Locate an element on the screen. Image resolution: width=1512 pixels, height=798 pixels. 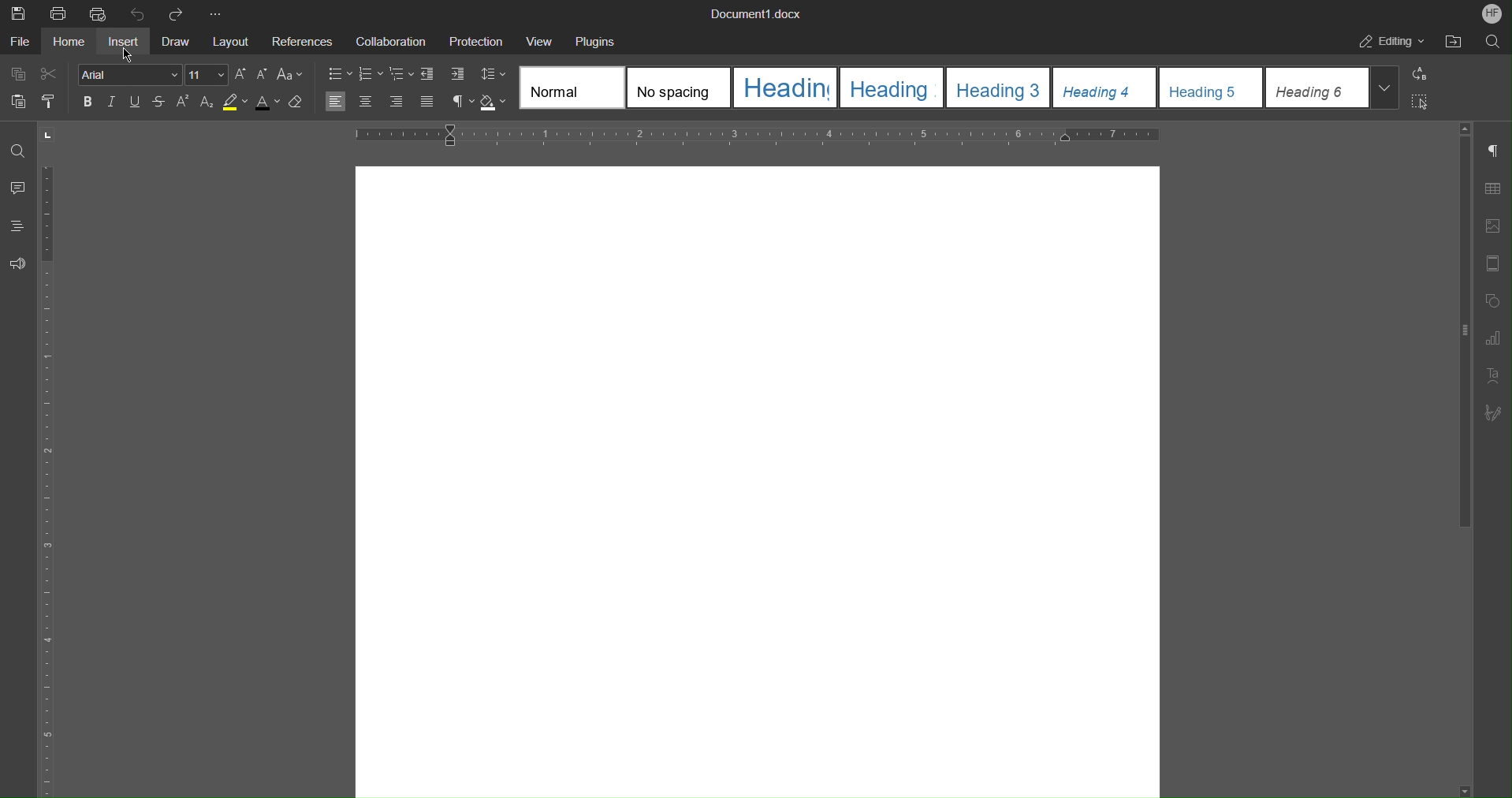
Superscript is located at coordinates (183, 101).